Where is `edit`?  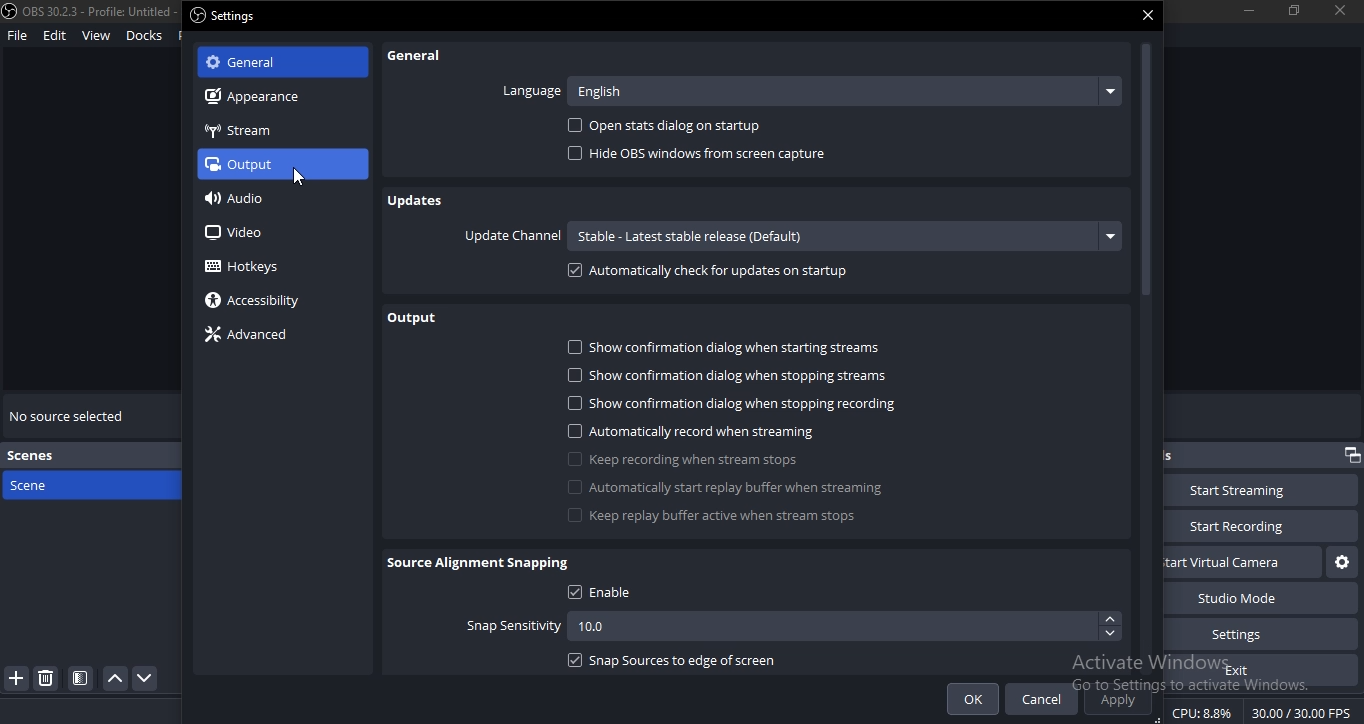 edit is located at coordinates (54, 36).